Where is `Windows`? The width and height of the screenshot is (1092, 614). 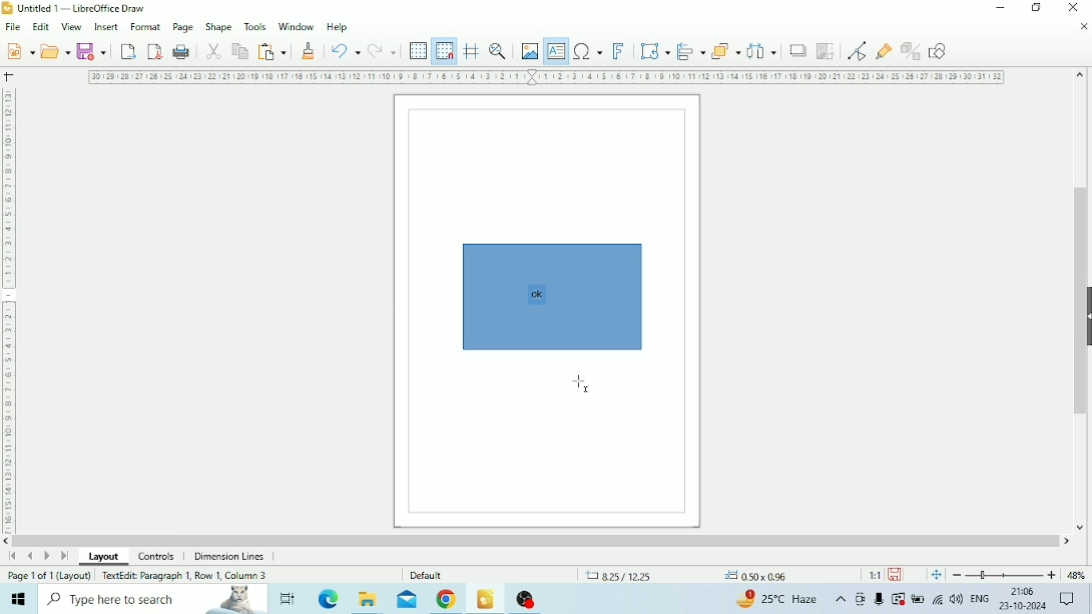 Windows is located at coordinates (20, 599).